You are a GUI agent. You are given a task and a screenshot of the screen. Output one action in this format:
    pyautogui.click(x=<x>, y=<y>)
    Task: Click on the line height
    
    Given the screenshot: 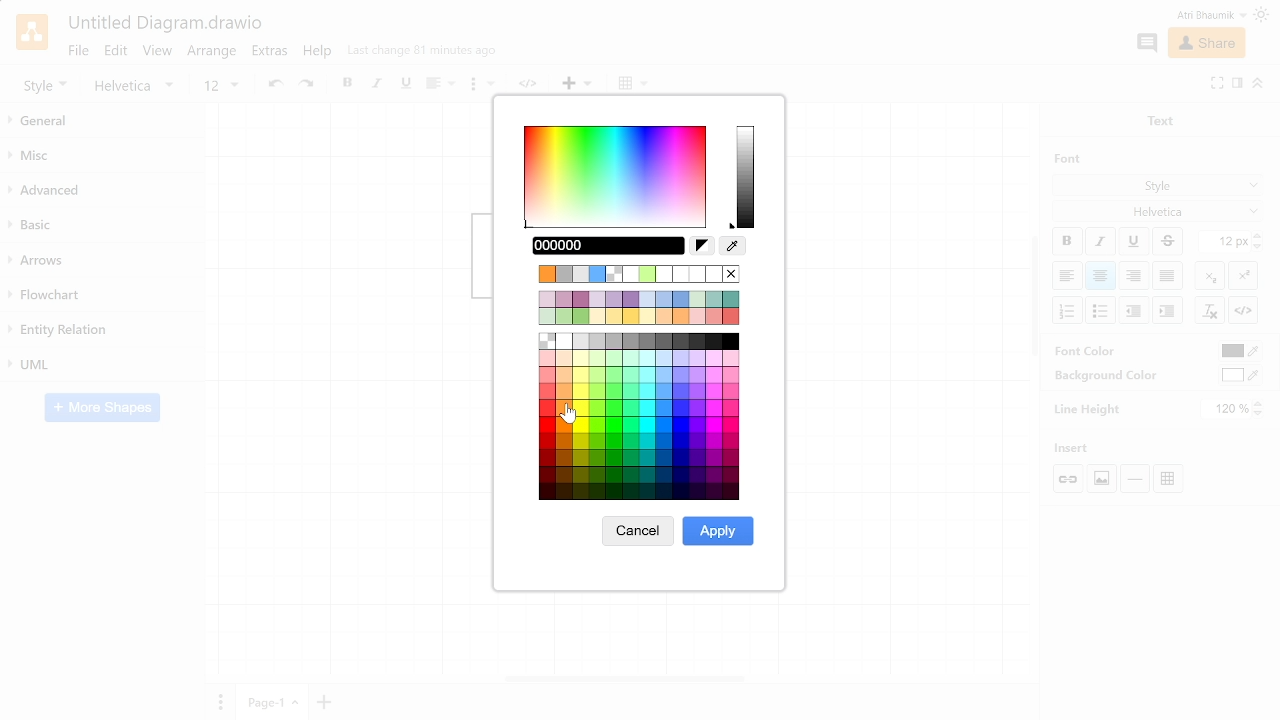 What is the action you would take?
    pyautogui.click(x=1088, y=408)
    